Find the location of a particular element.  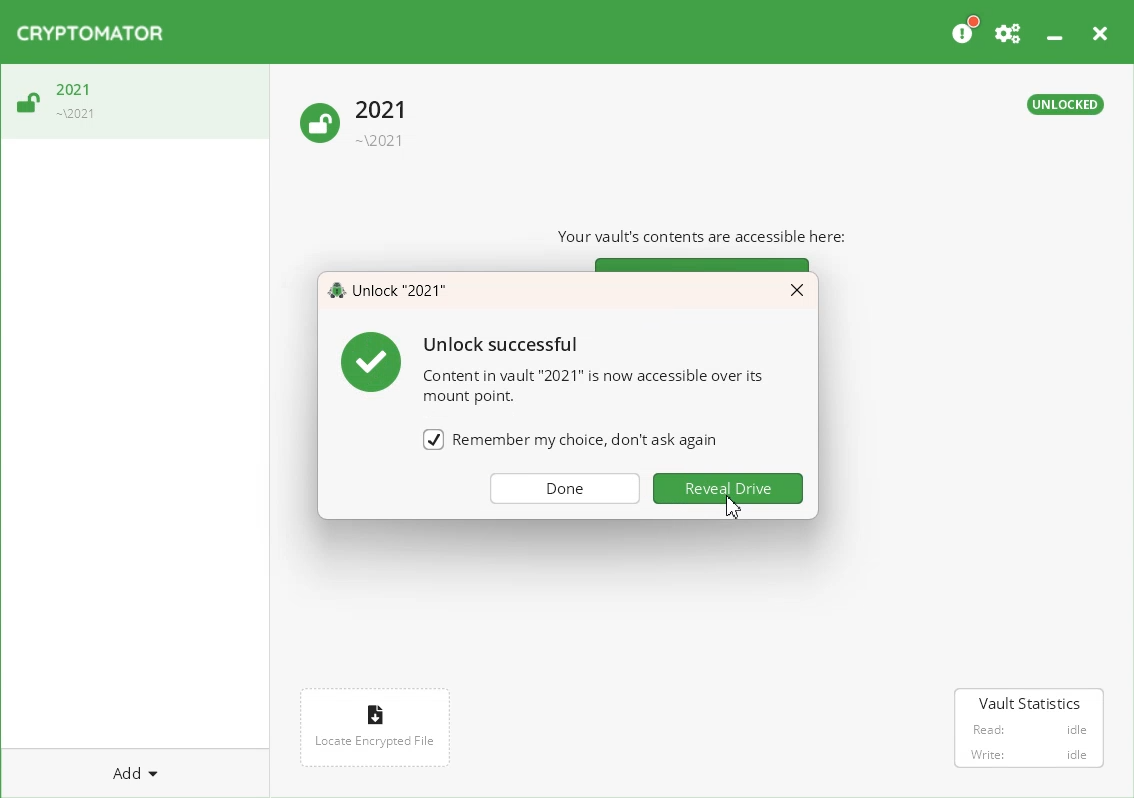

Unlock Vault is located at coordinates (357, 125).